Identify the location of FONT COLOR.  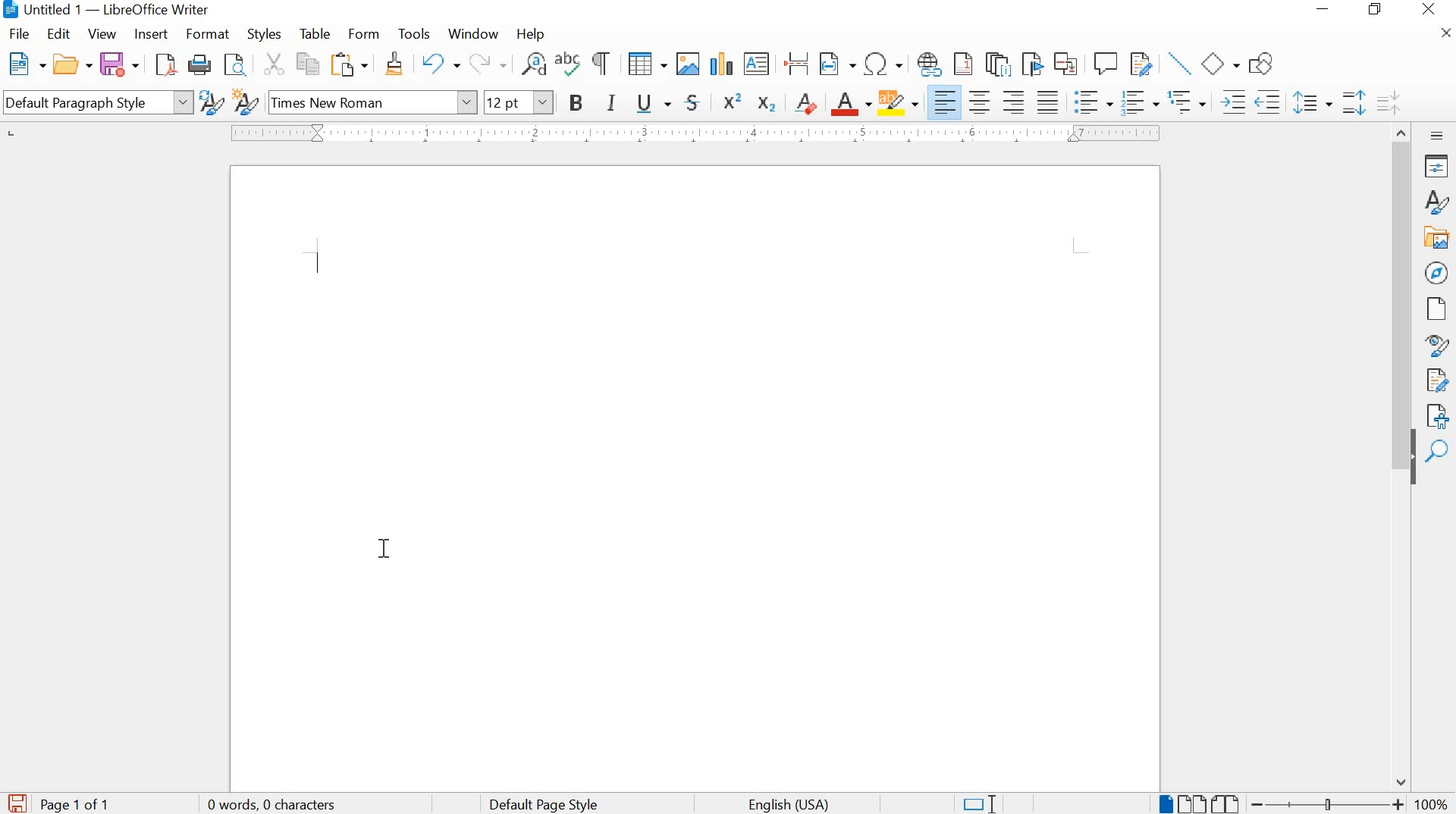
(850, 105).